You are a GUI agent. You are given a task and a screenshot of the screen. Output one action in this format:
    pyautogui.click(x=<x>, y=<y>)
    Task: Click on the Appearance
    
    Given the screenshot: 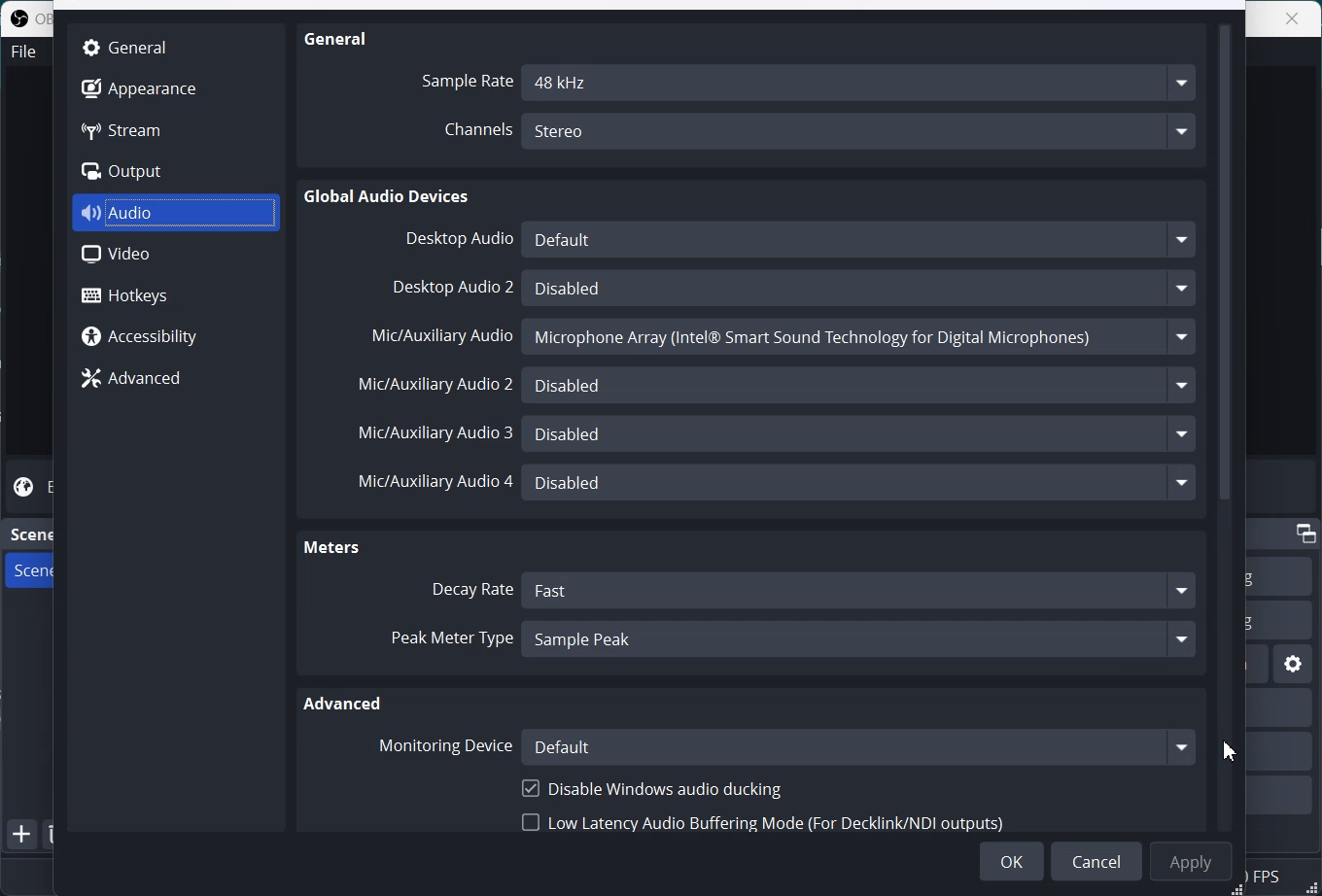 What is the action you would take?
    pyautogui.click(x=138, y=86)
    